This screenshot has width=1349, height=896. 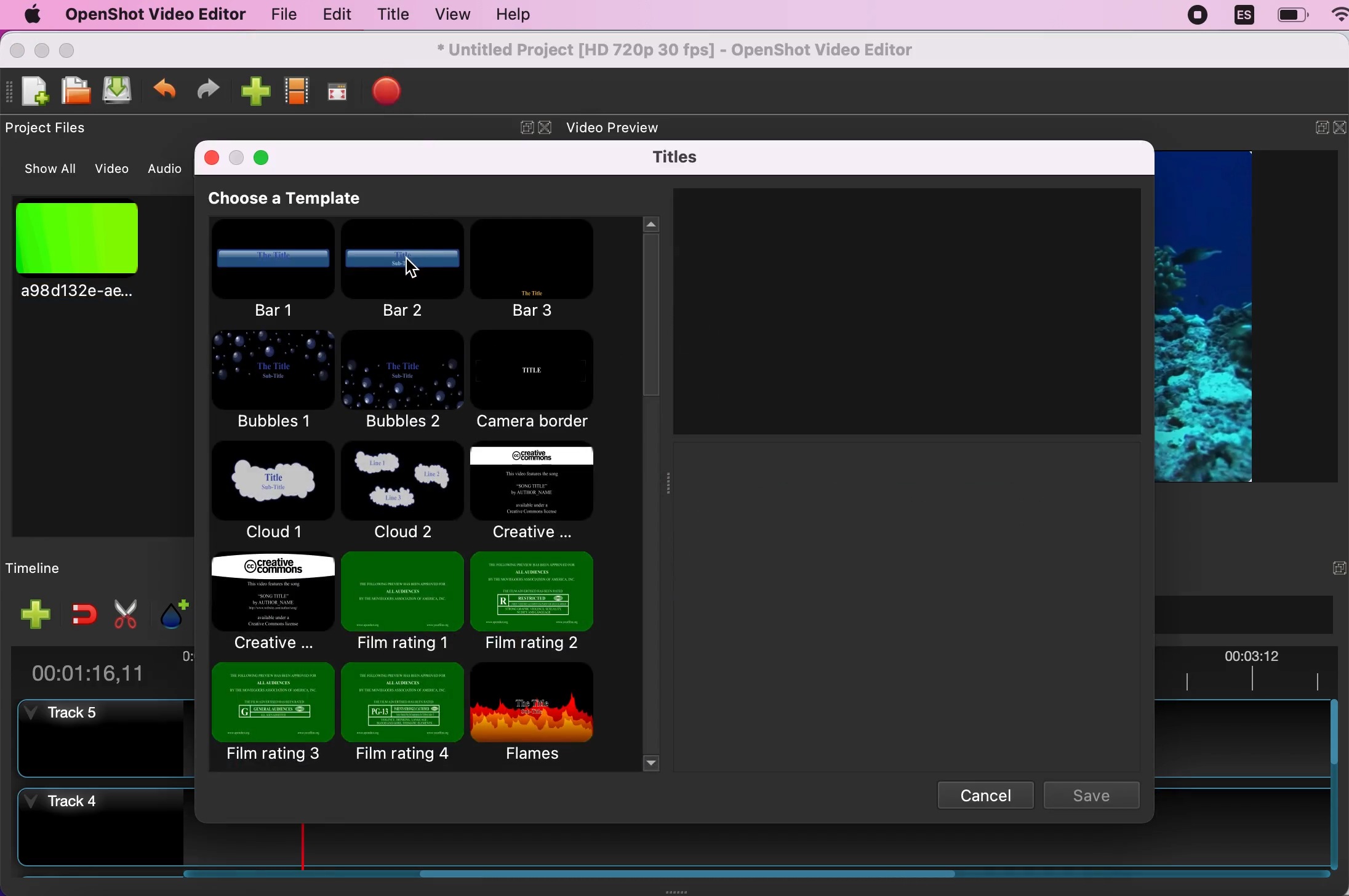 What do you see at coordinates (166, 169) in the screenshot?
I see `audio` at bounding box center [166, 169].